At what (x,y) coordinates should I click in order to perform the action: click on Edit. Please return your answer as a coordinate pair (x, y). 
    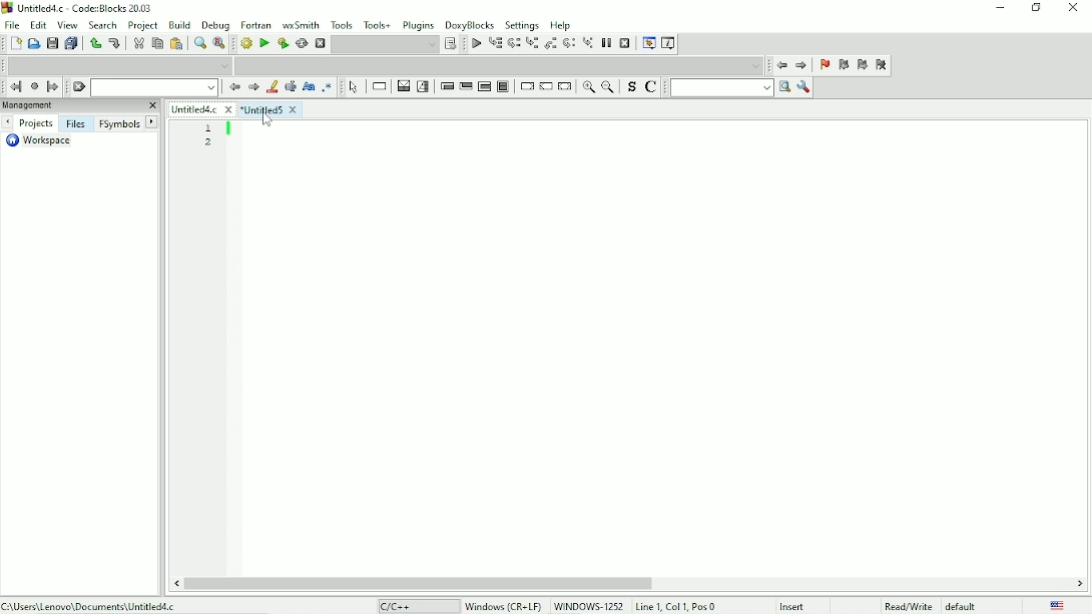
    Looking at the image, I should click on (38, 26).